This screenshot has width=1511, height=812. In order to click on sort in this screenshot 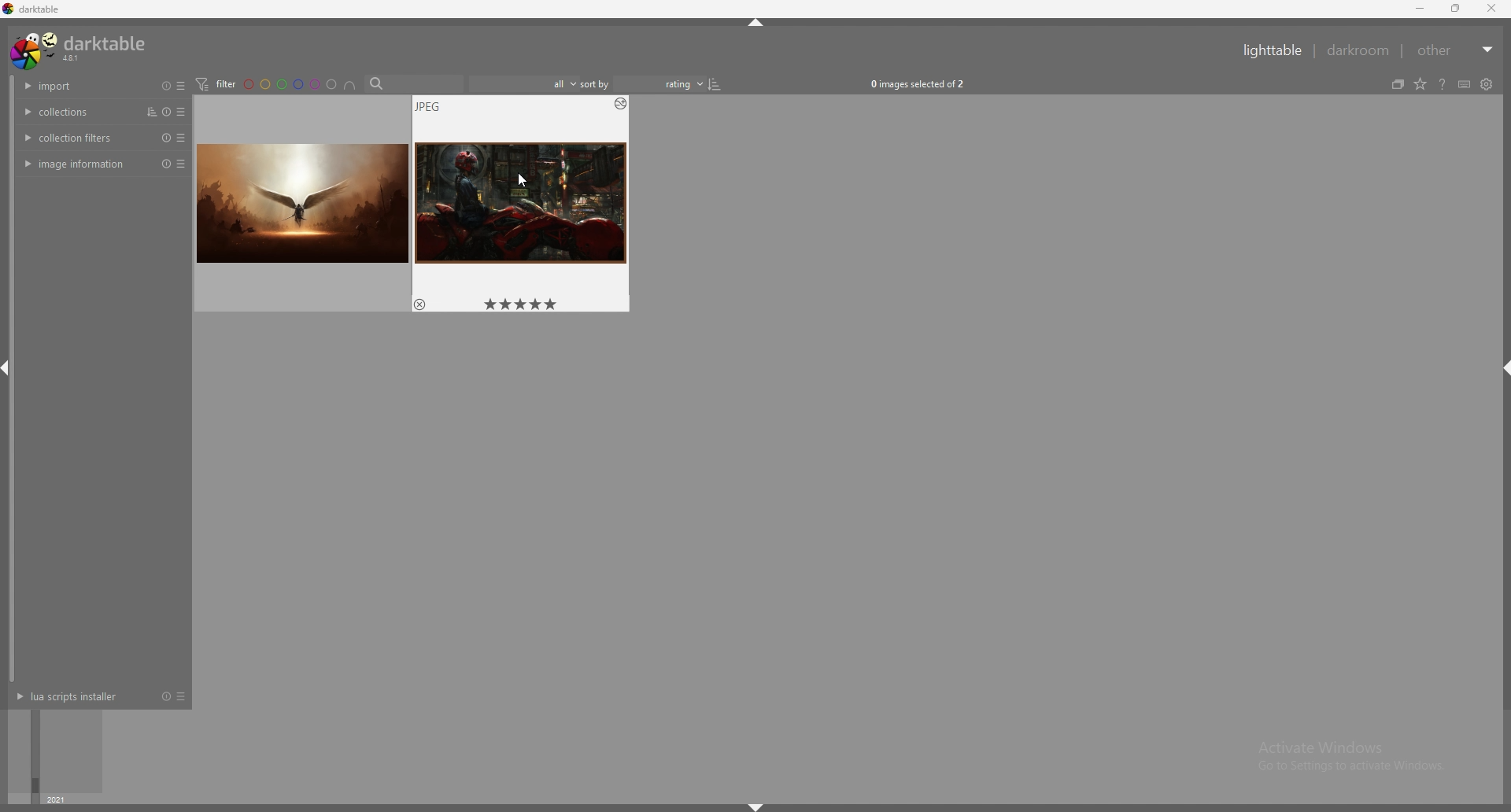, I will do `click(151, 112)`.